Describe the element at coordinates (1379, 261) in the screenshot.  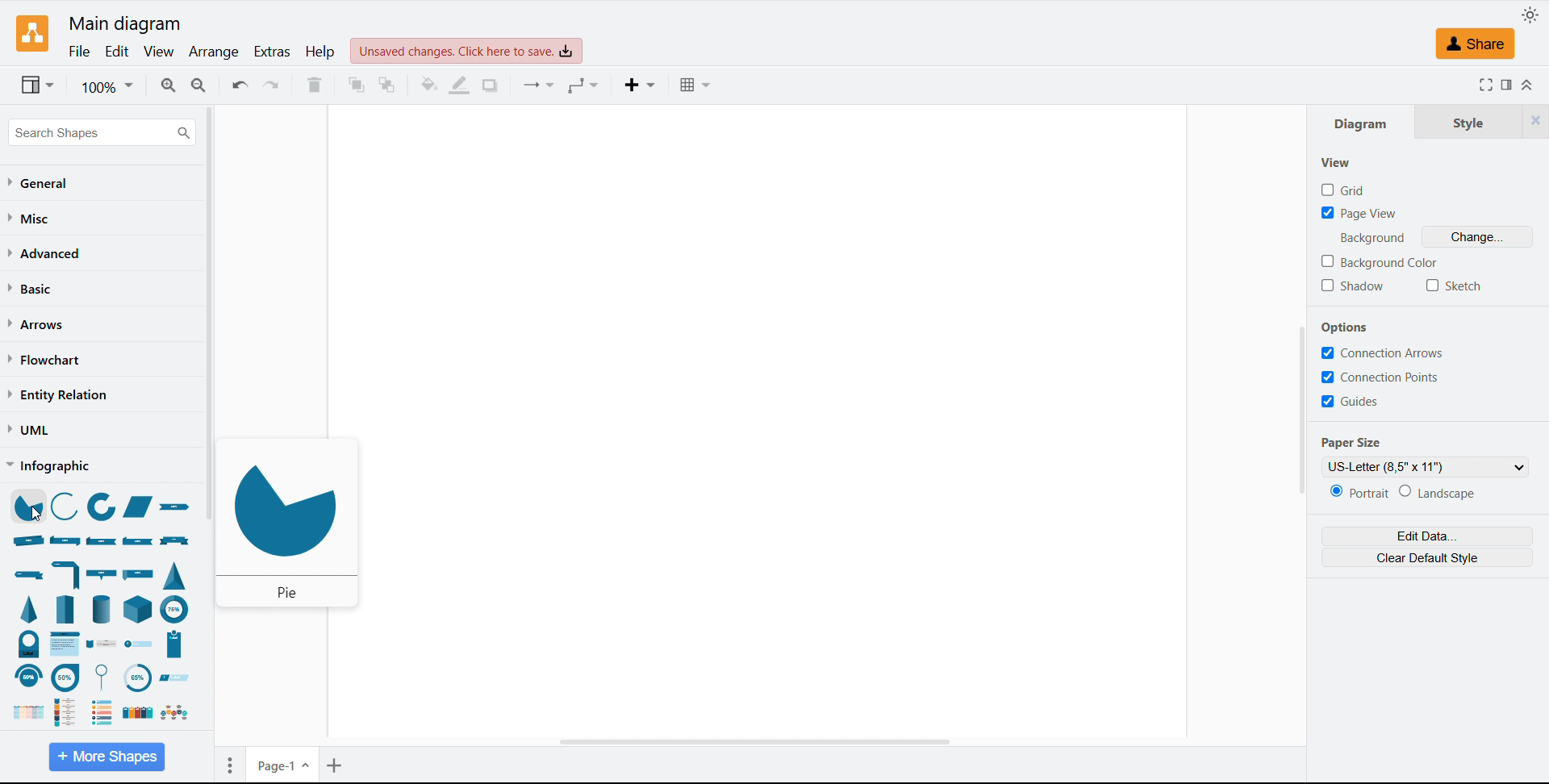
I see `Background colour ` at that location.